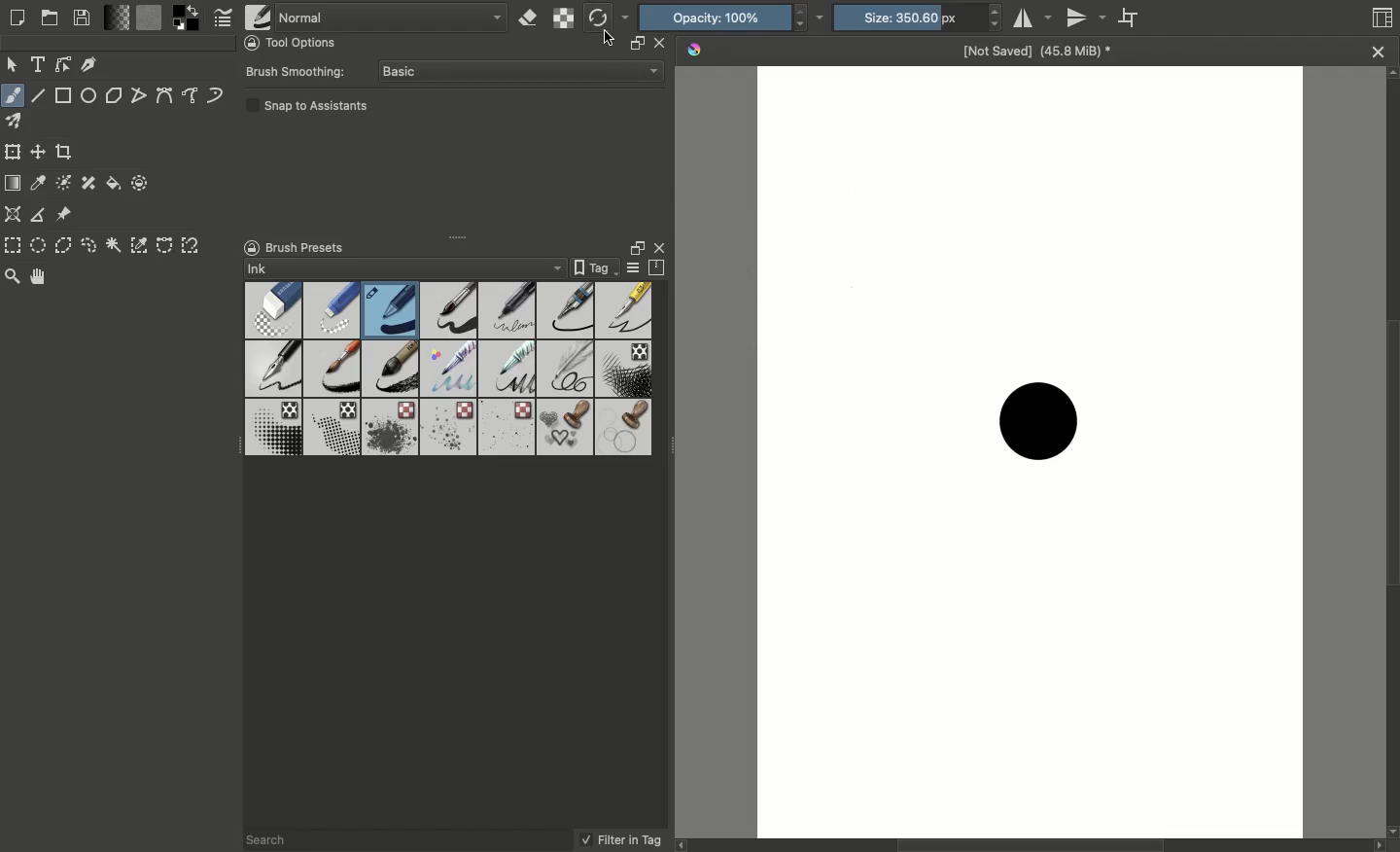 This screenshot has height=852, width=1400. I want to click on Create, so click(16, 18).